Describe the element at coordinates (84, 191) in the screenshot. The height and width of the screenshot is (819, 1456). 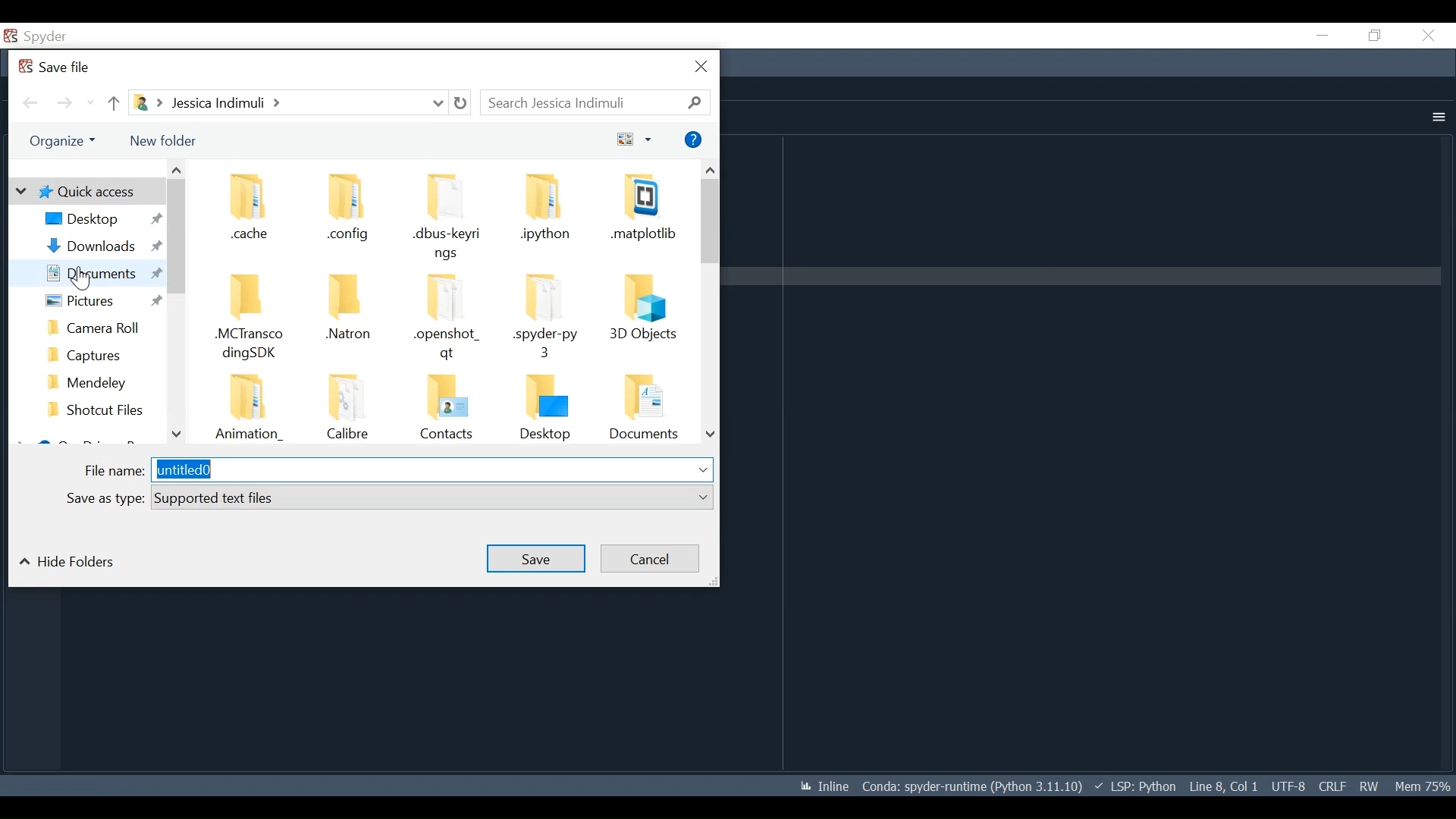
I see `Quick Access` at that location.